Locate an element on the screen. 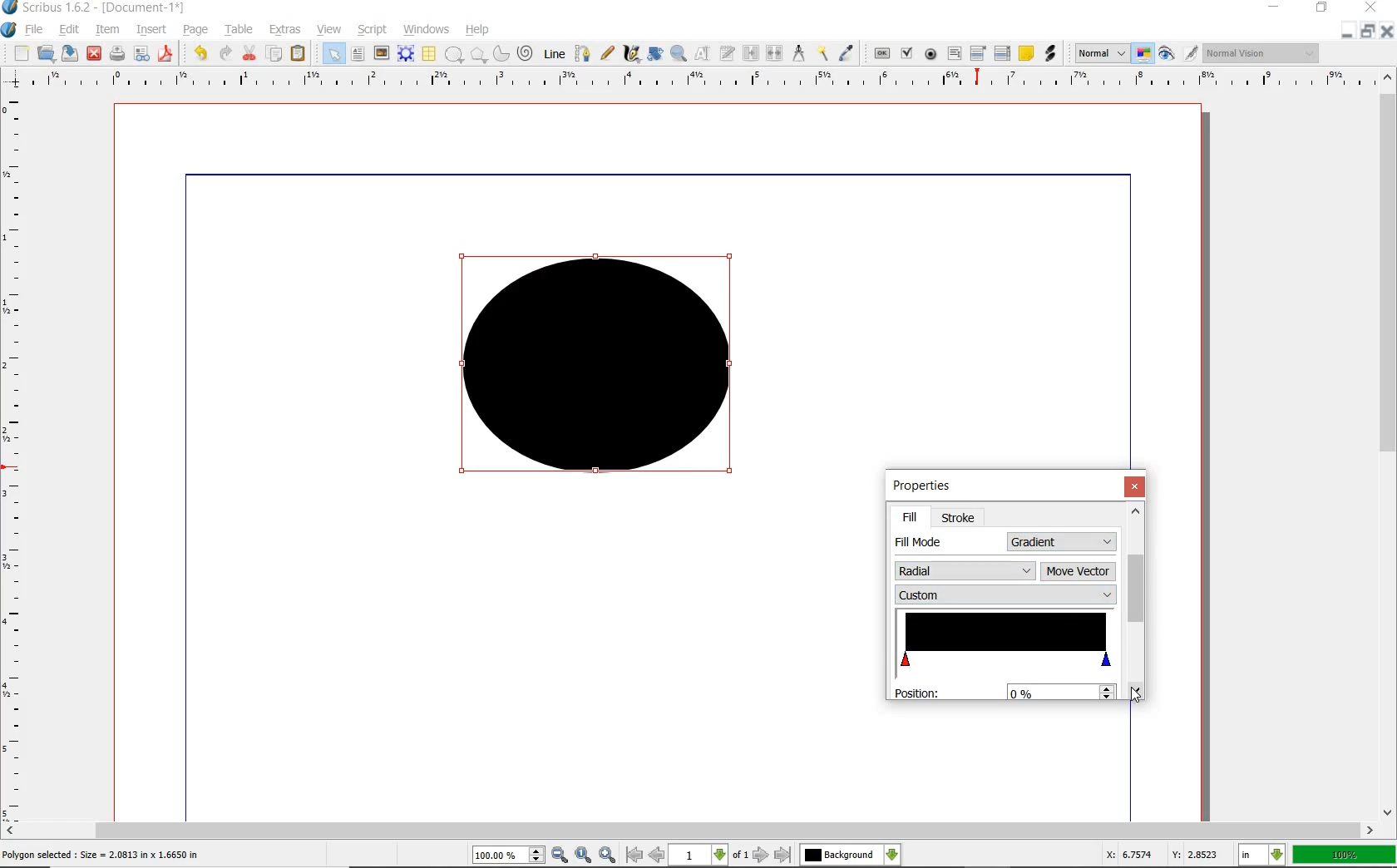  SPIRAL is located at coordinates (524, 54).